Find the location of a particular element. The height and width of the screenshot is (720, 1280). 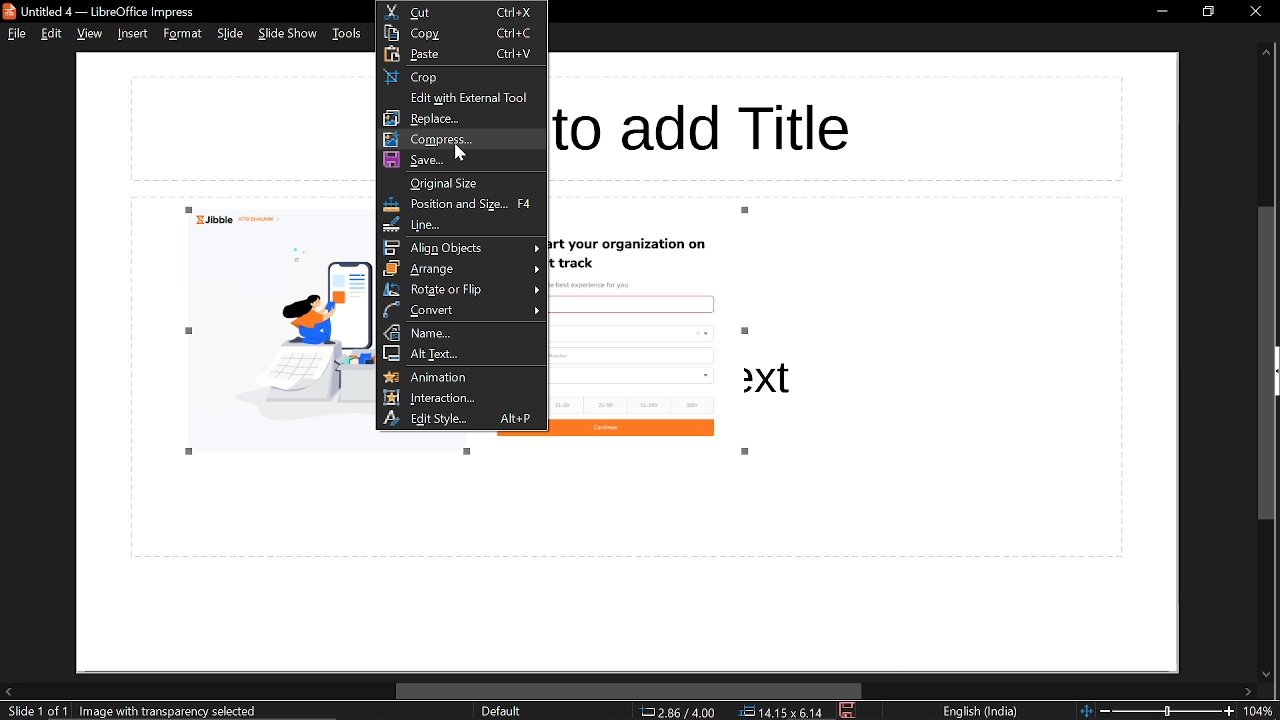

save is located at coordinates (462, 160).